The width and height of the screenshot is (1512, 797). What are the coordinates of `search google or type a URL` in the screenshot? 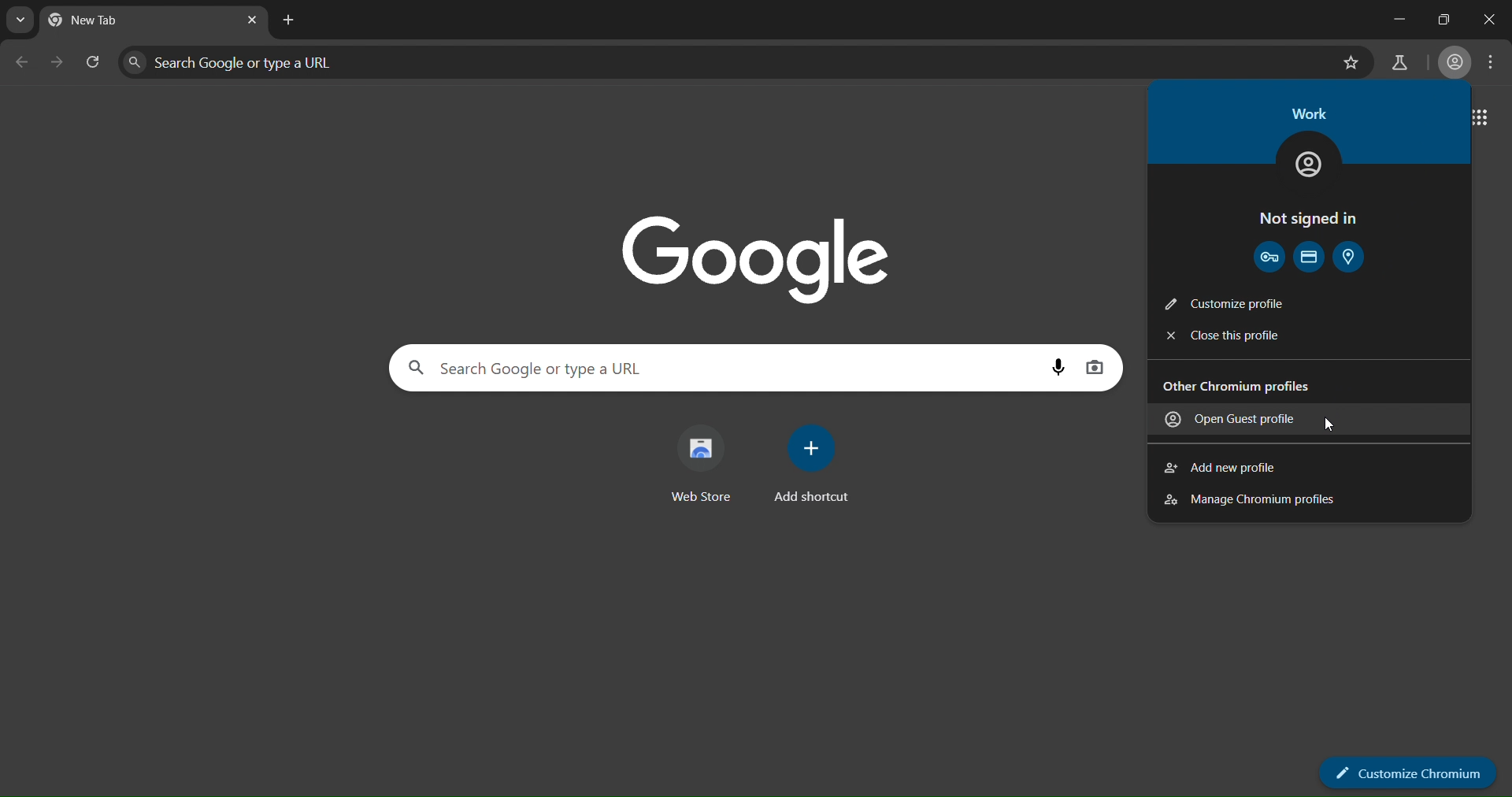 It's located at (723, 63).